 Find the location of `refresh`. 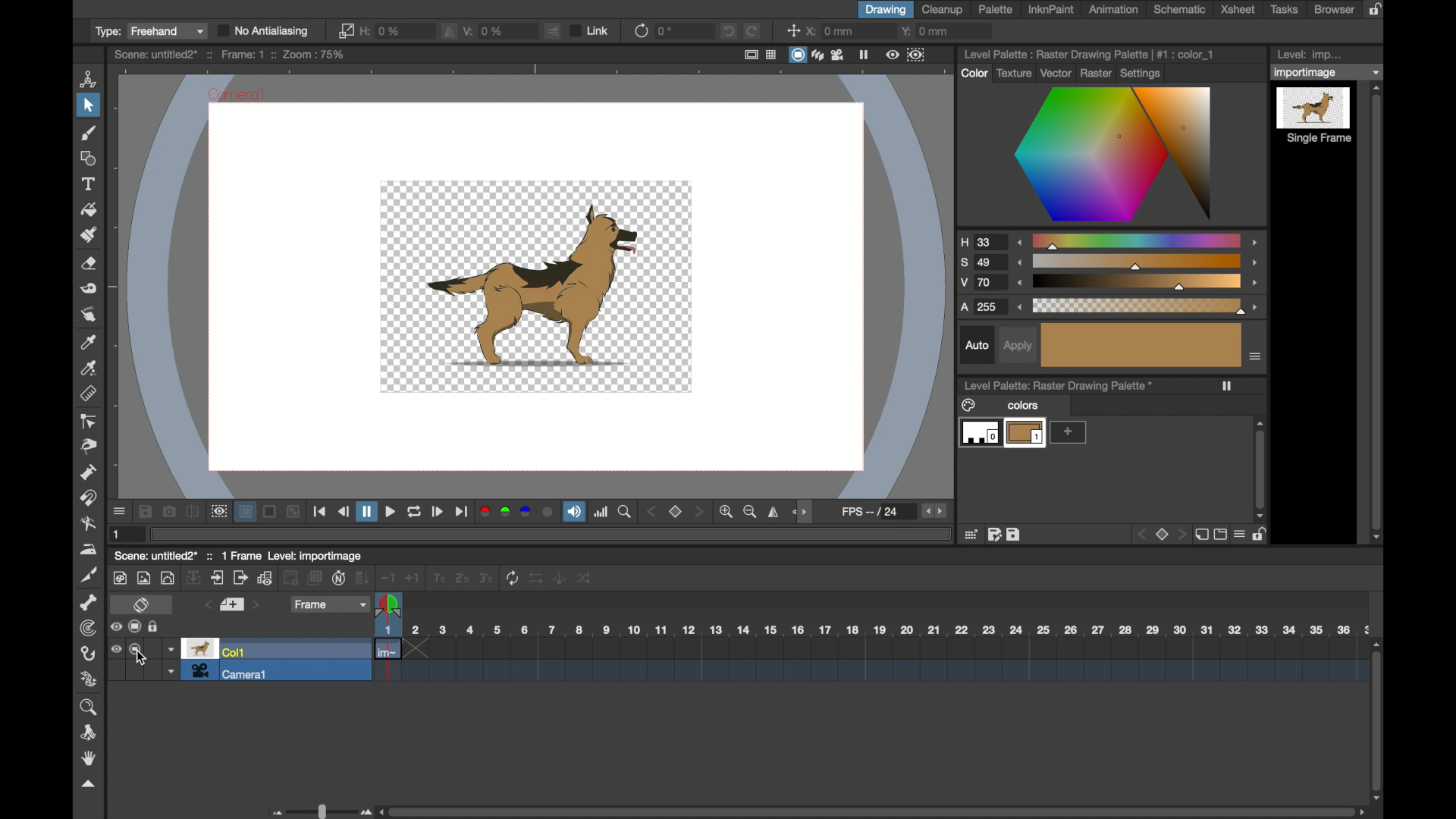

refresh is located at coordinates (415, 513).